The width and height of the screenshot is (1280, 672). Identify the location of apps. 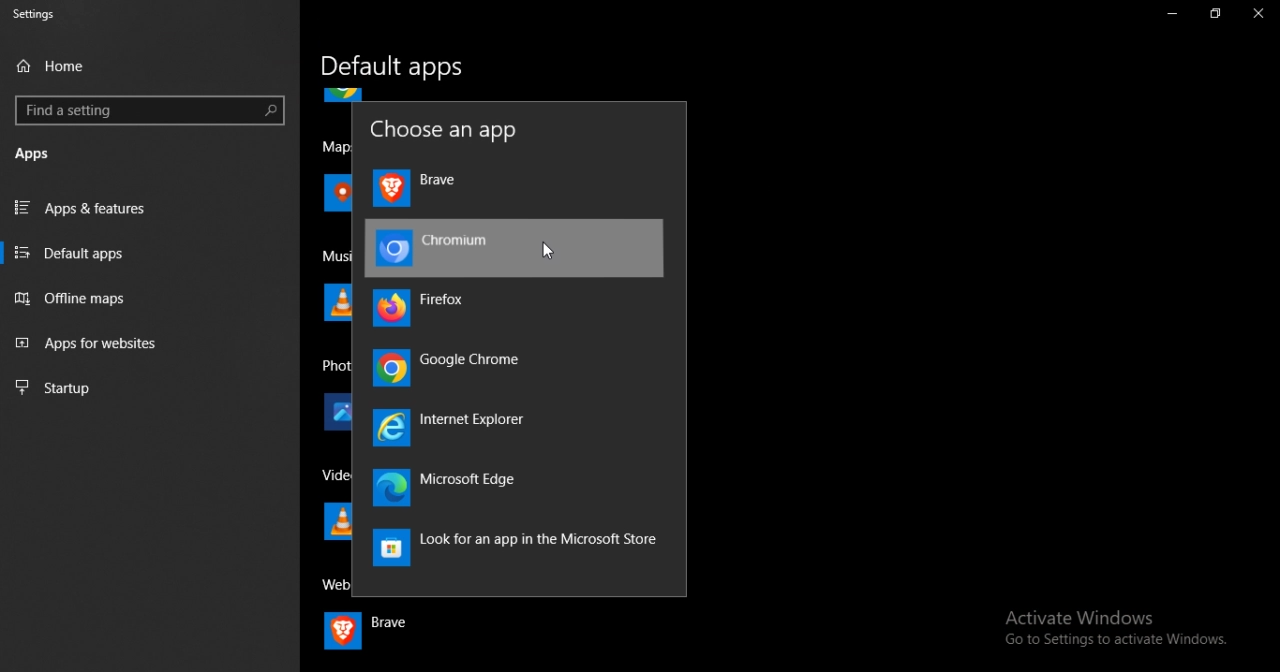
(44, 153).